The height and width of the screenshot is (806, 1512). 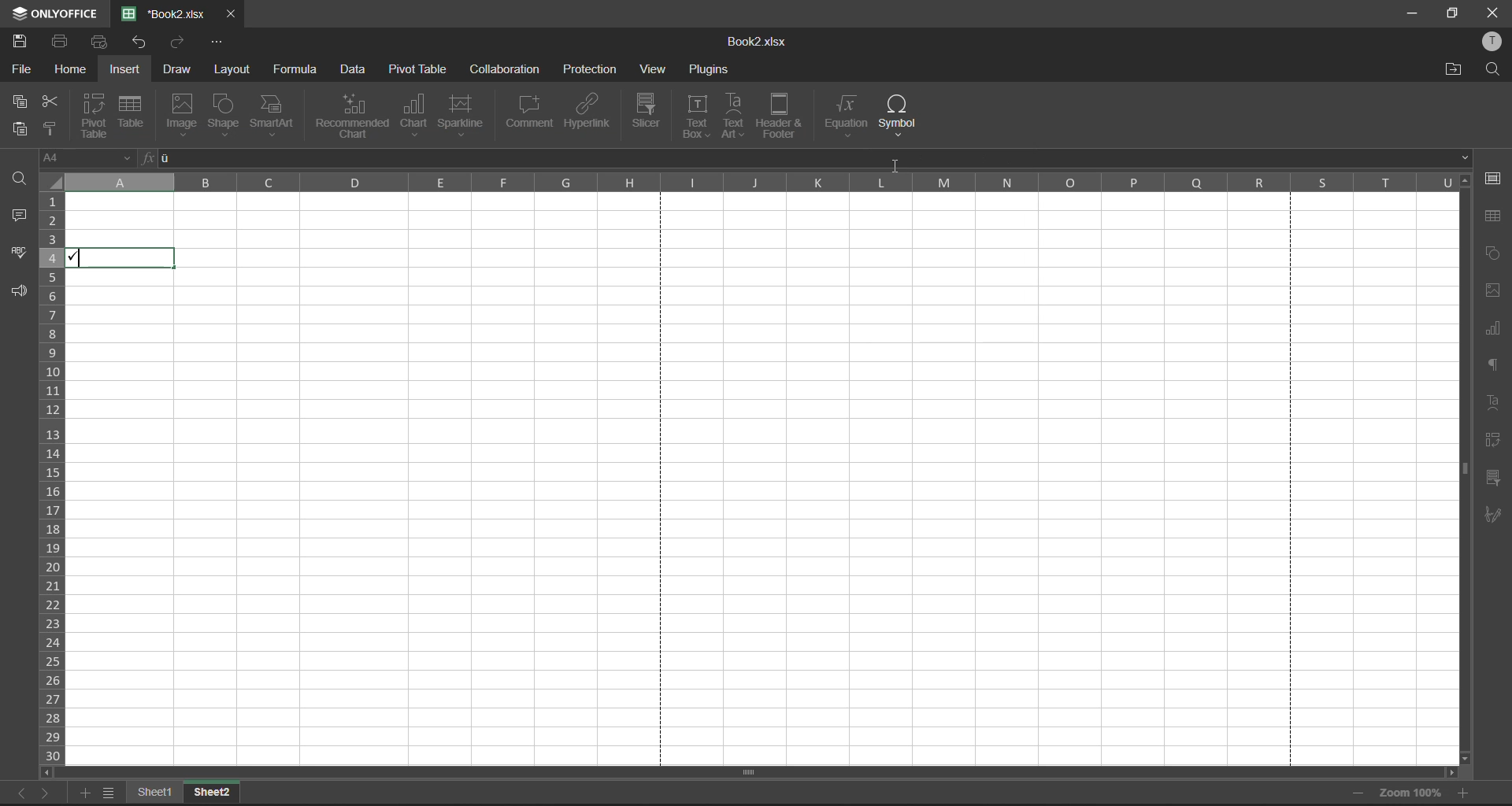 What do you see at coordinates (18, 794) in the screenshot?
I see `previous` at bounding box center [18, 794].